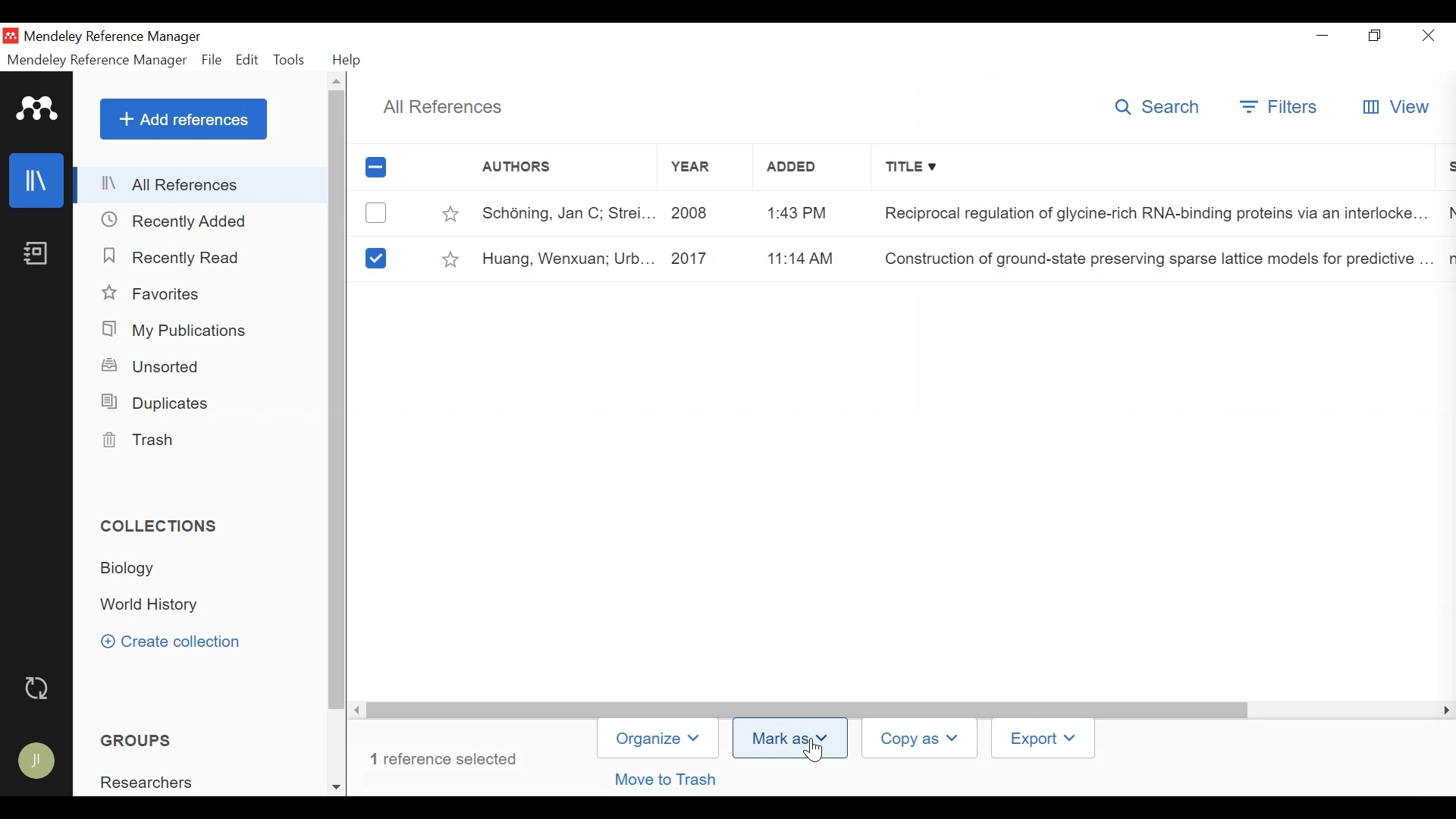  Describe the element at coordinates (11, 37) in the screenshot. I see `Mendeley Desktop Icon` at that location.